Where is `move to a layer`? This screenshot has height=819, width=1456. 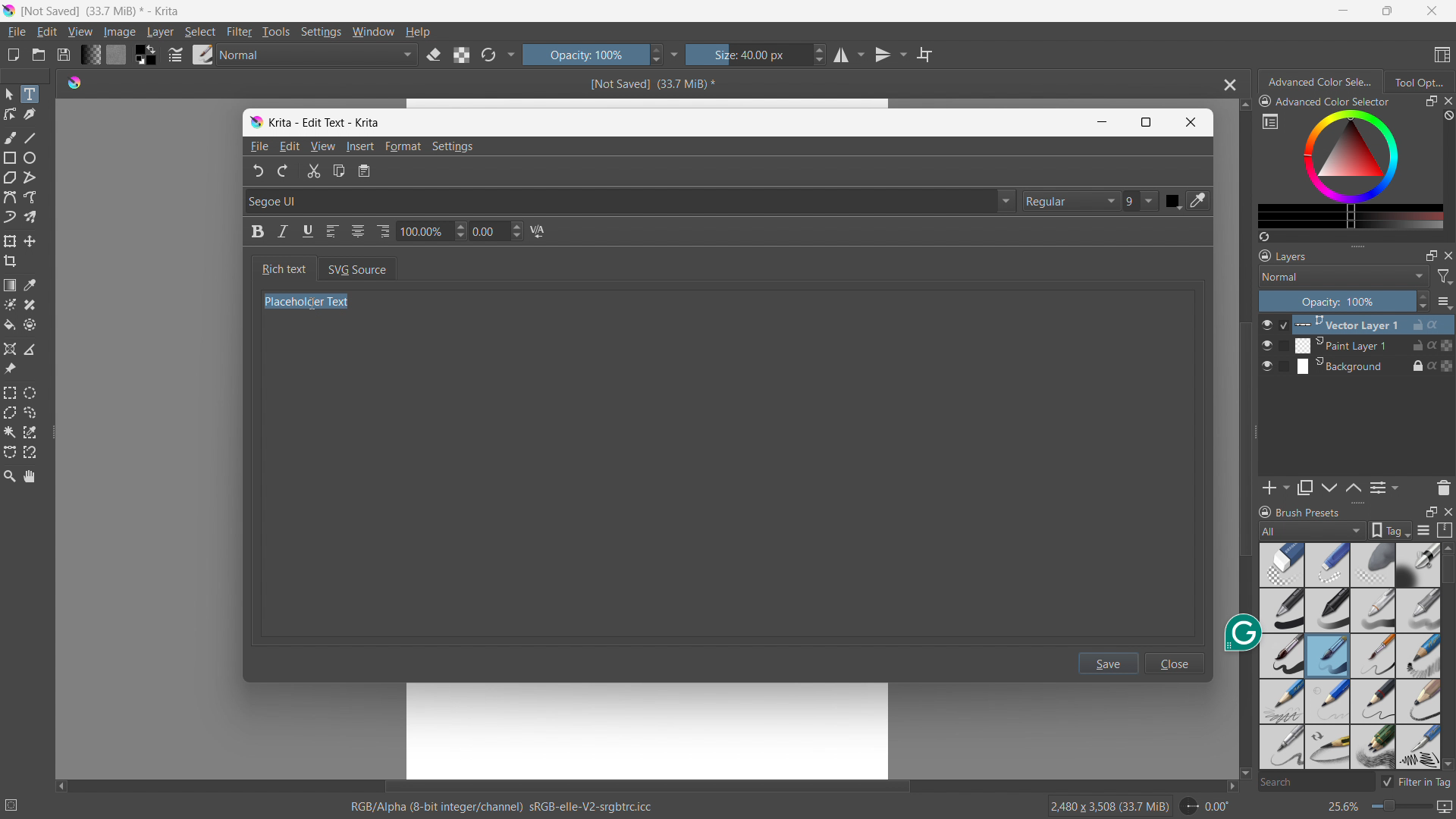 move to a layer is located at coordinates (30, 241).